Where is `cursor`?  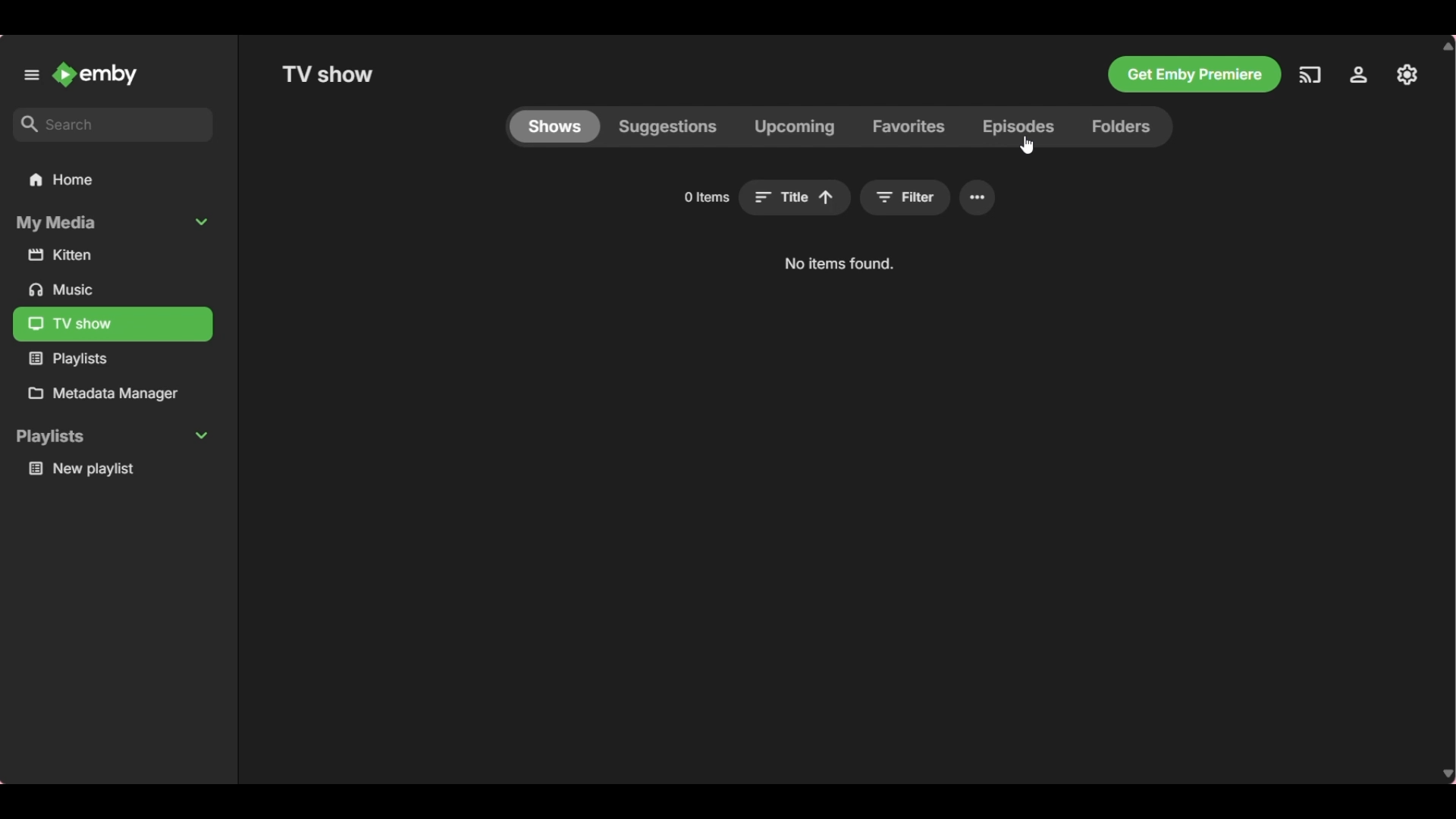 cursor is located at coordinates (1031, 148).